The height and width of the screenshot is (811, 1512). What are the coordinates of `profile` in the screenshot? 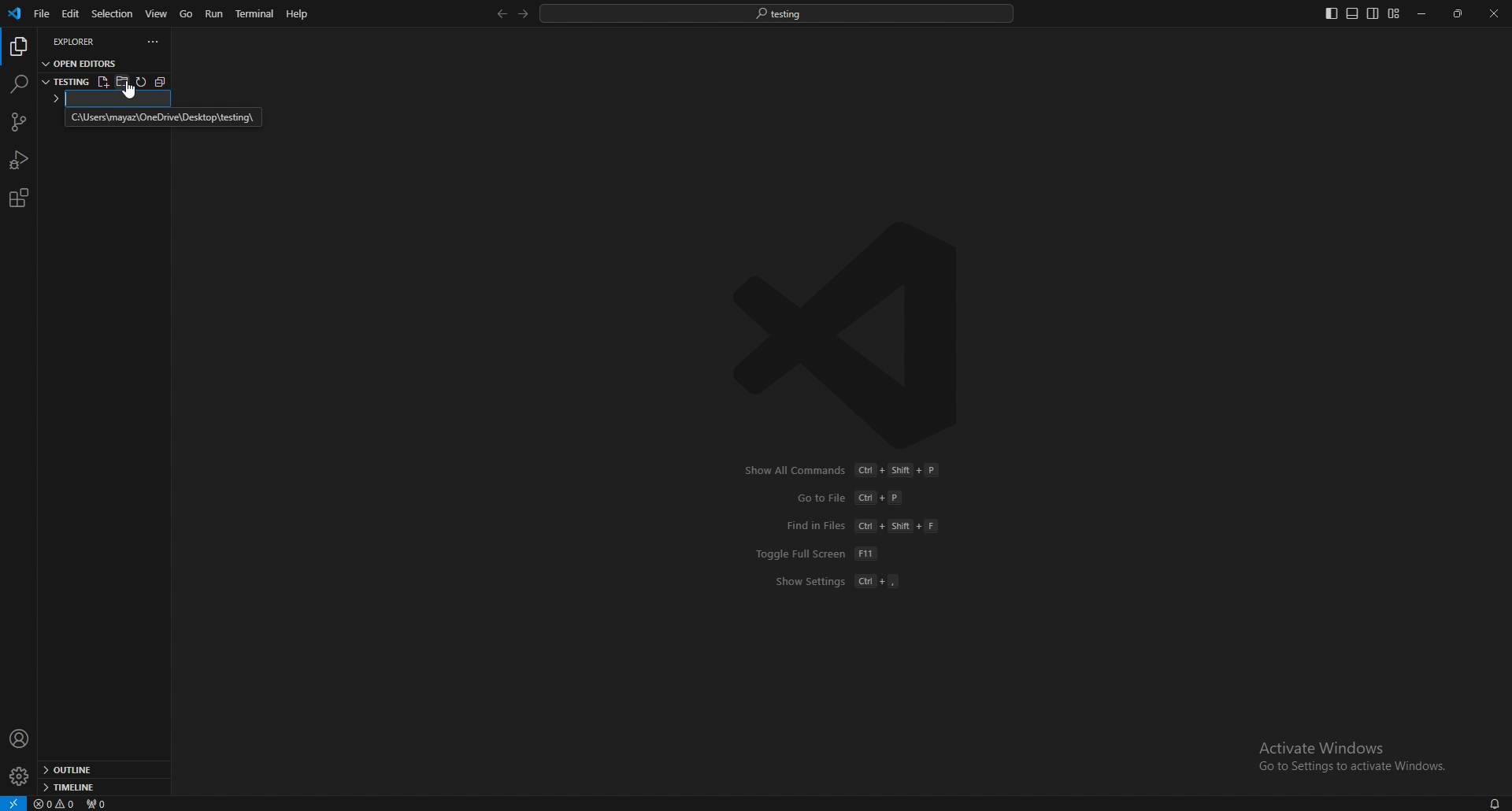 It's located at (20, 739).